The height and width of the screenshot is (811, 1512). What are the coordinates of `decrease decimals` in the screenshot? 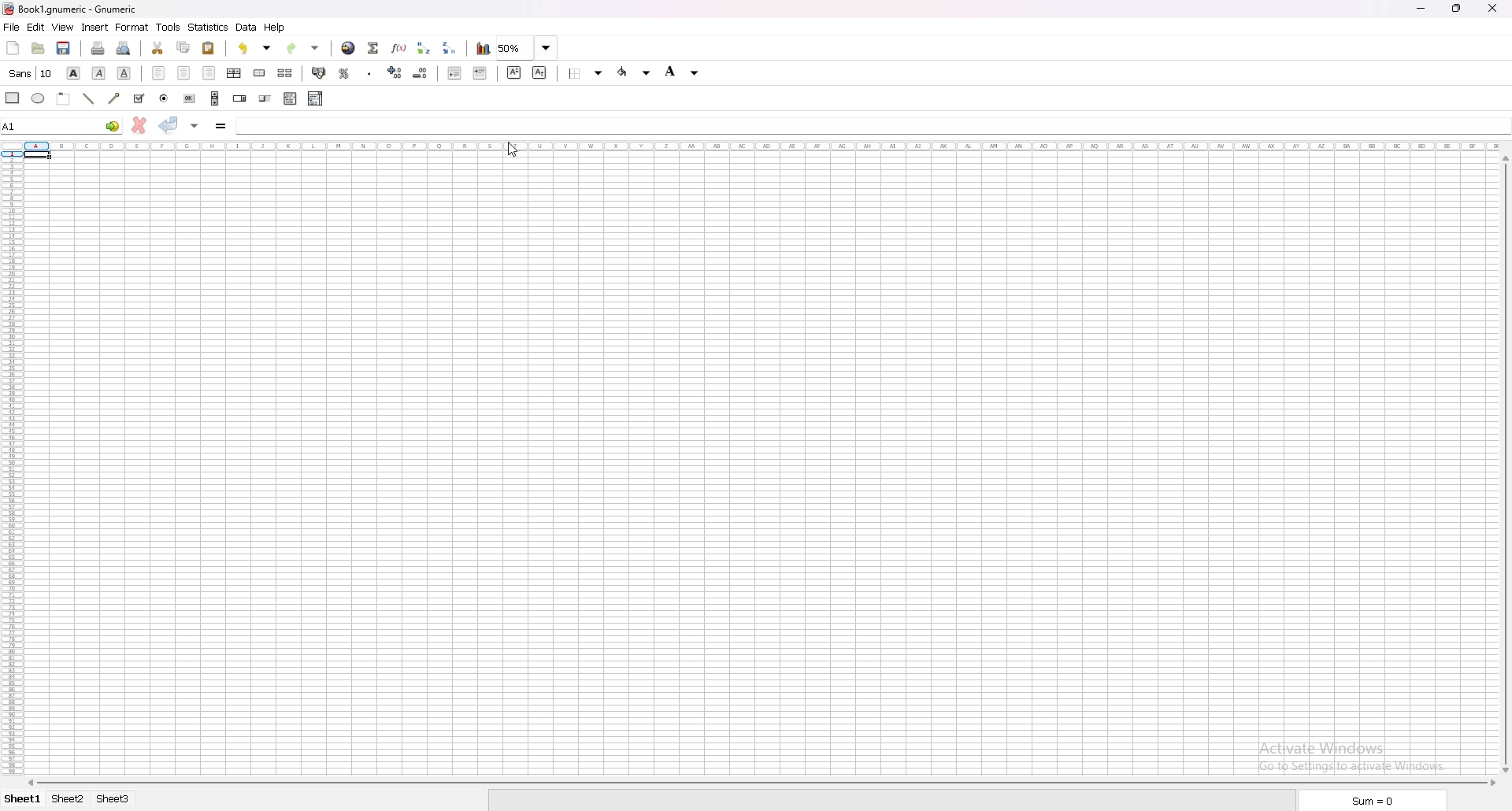 It's located at (421, 72).